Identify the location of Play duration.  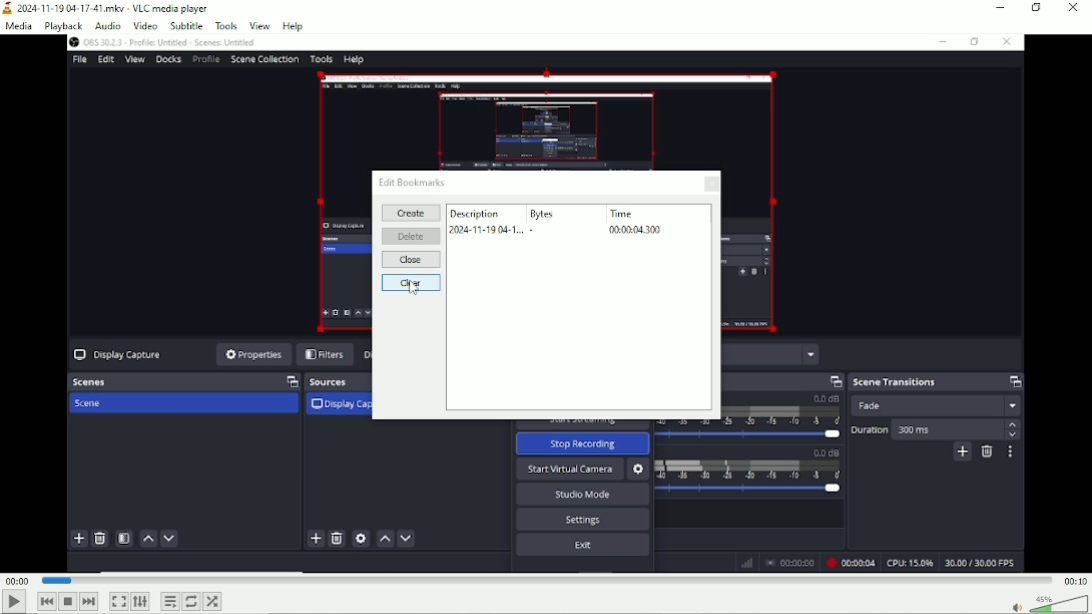
(545, 579).